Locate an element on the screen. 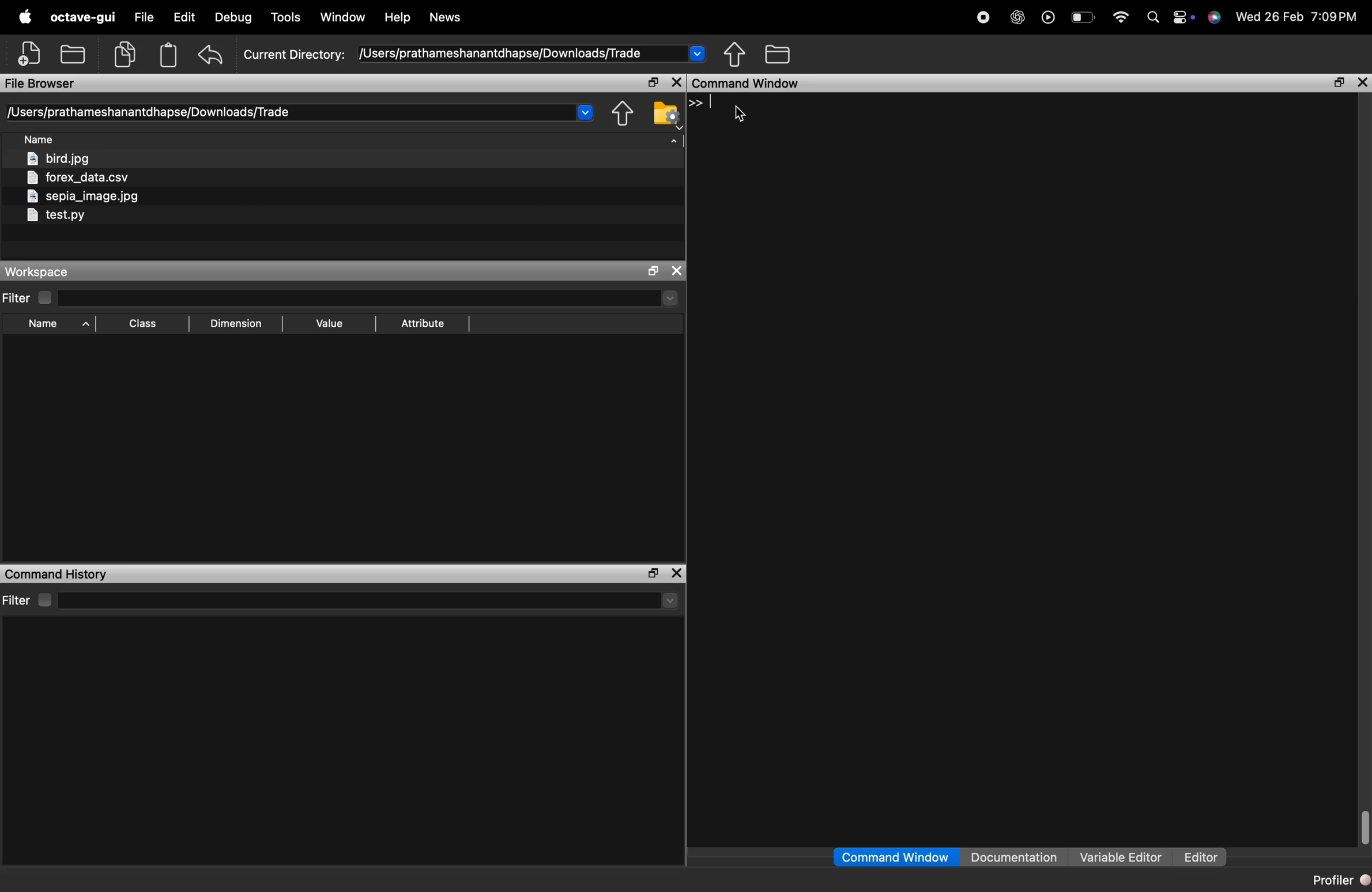  current directory is located at coordinates (475, 54).